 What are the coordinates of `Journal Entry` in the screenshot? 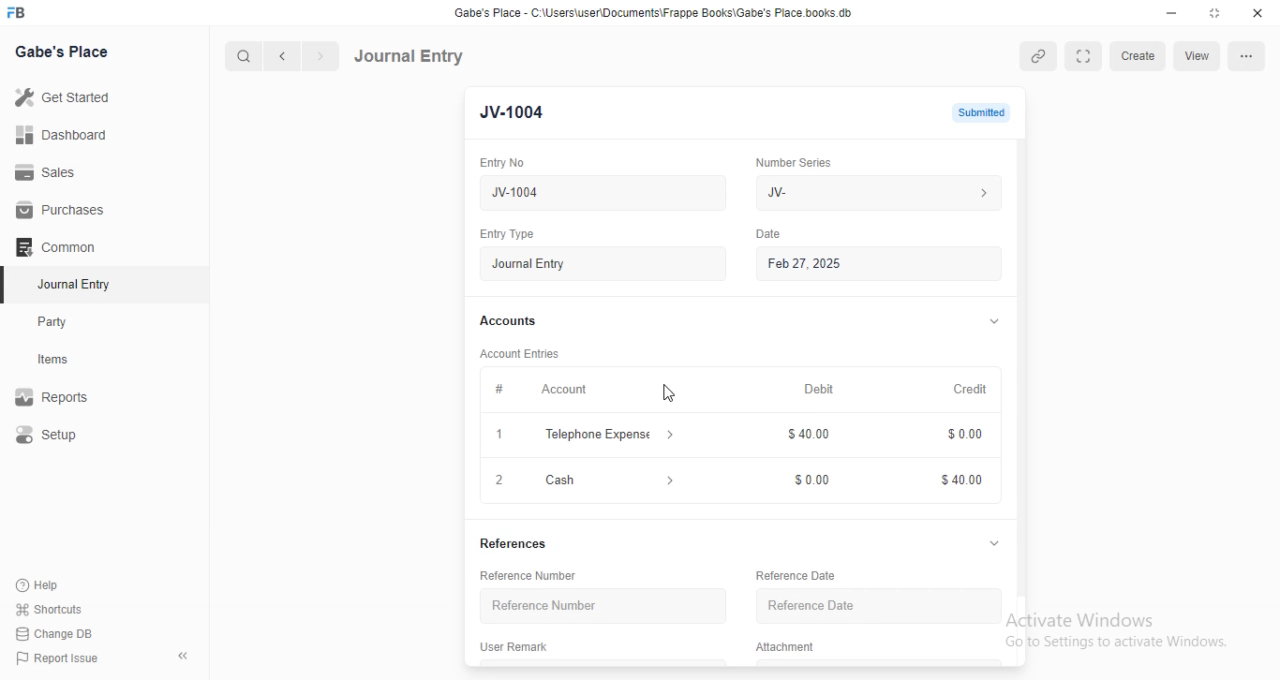 It's located at (70, 284).